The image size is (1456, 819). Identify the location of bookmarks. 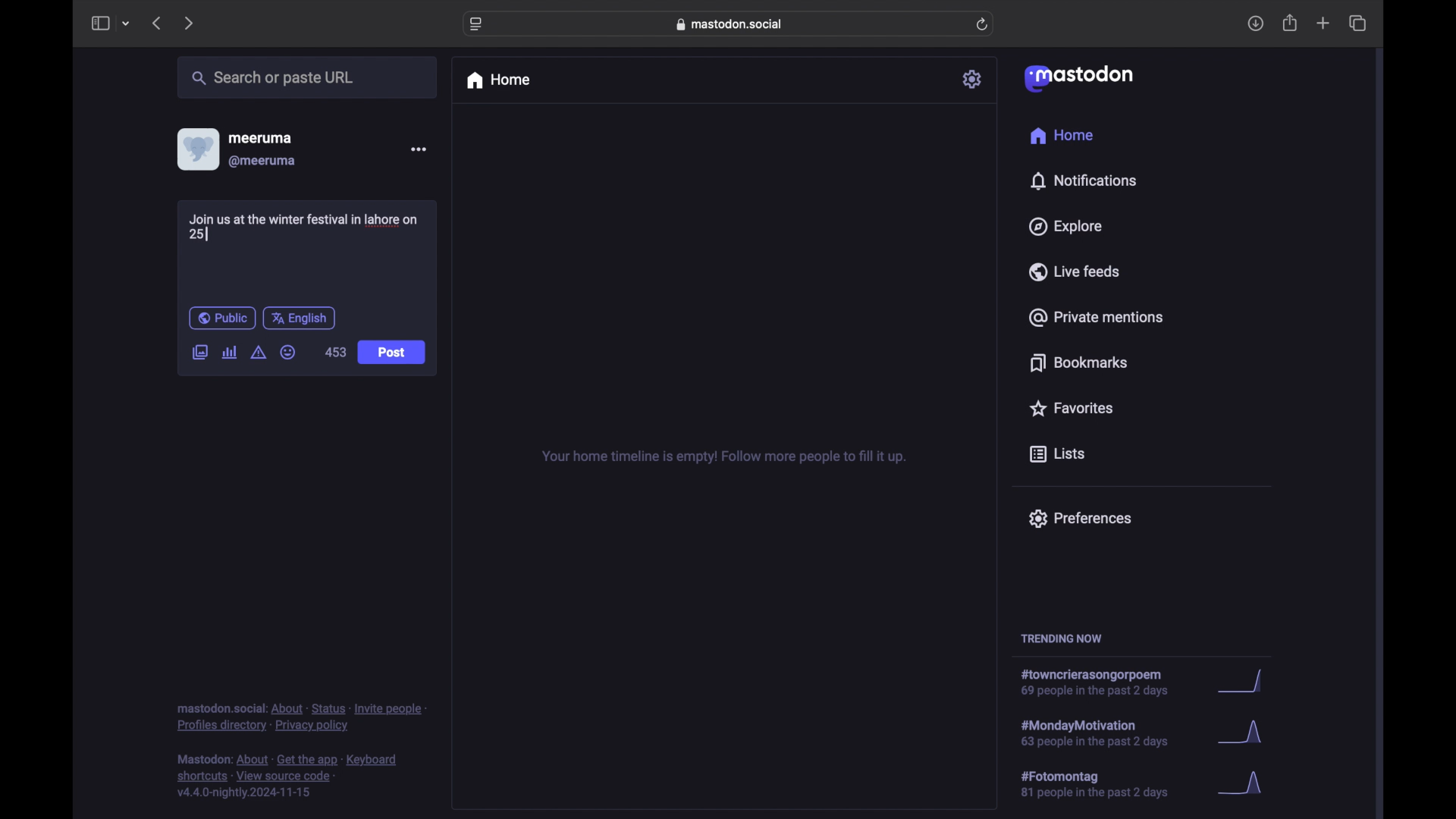
(1078, 362).